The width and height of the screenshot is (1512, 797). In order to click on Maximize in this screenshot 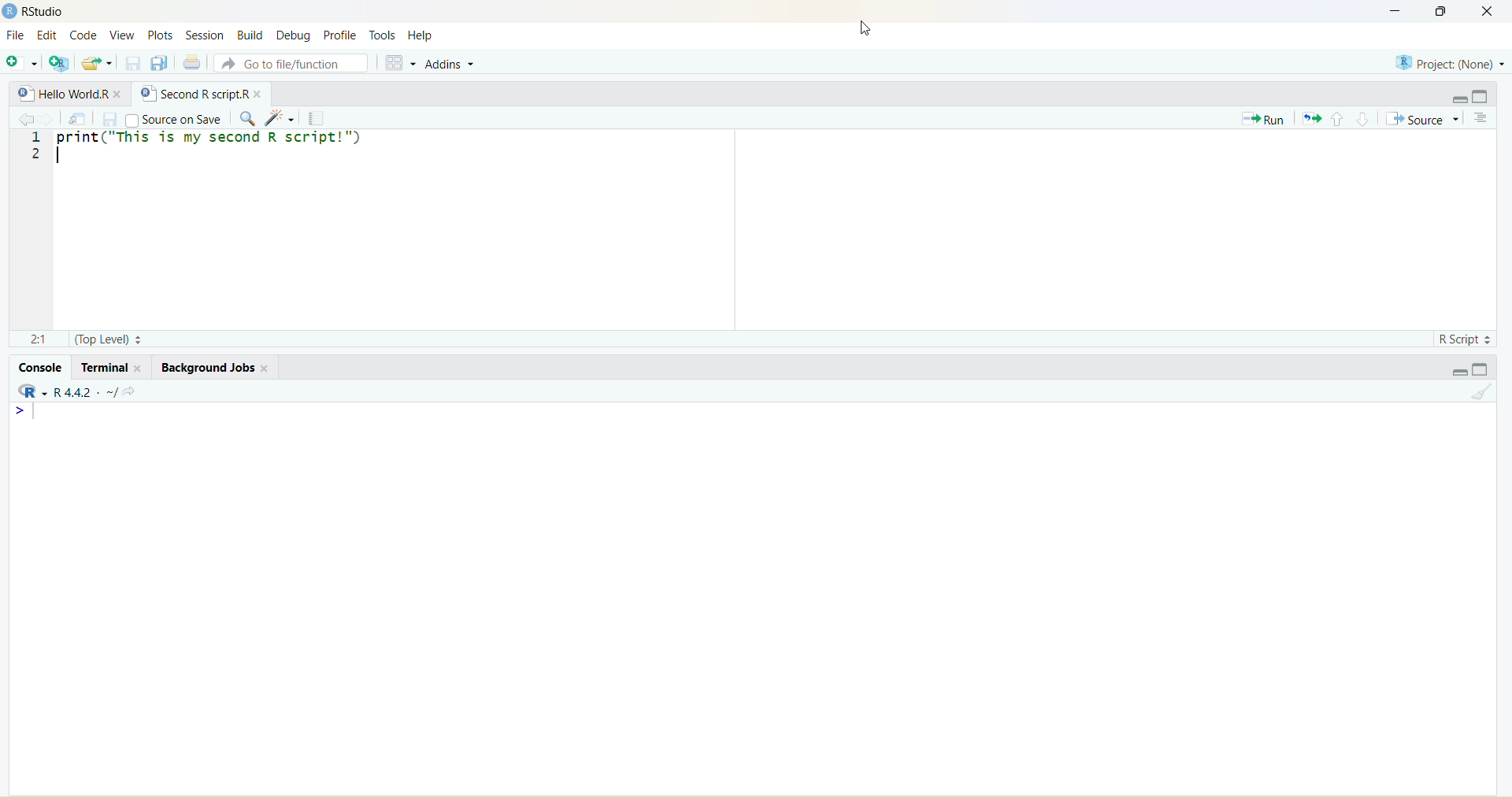, I will do `click(1486, 369)`.